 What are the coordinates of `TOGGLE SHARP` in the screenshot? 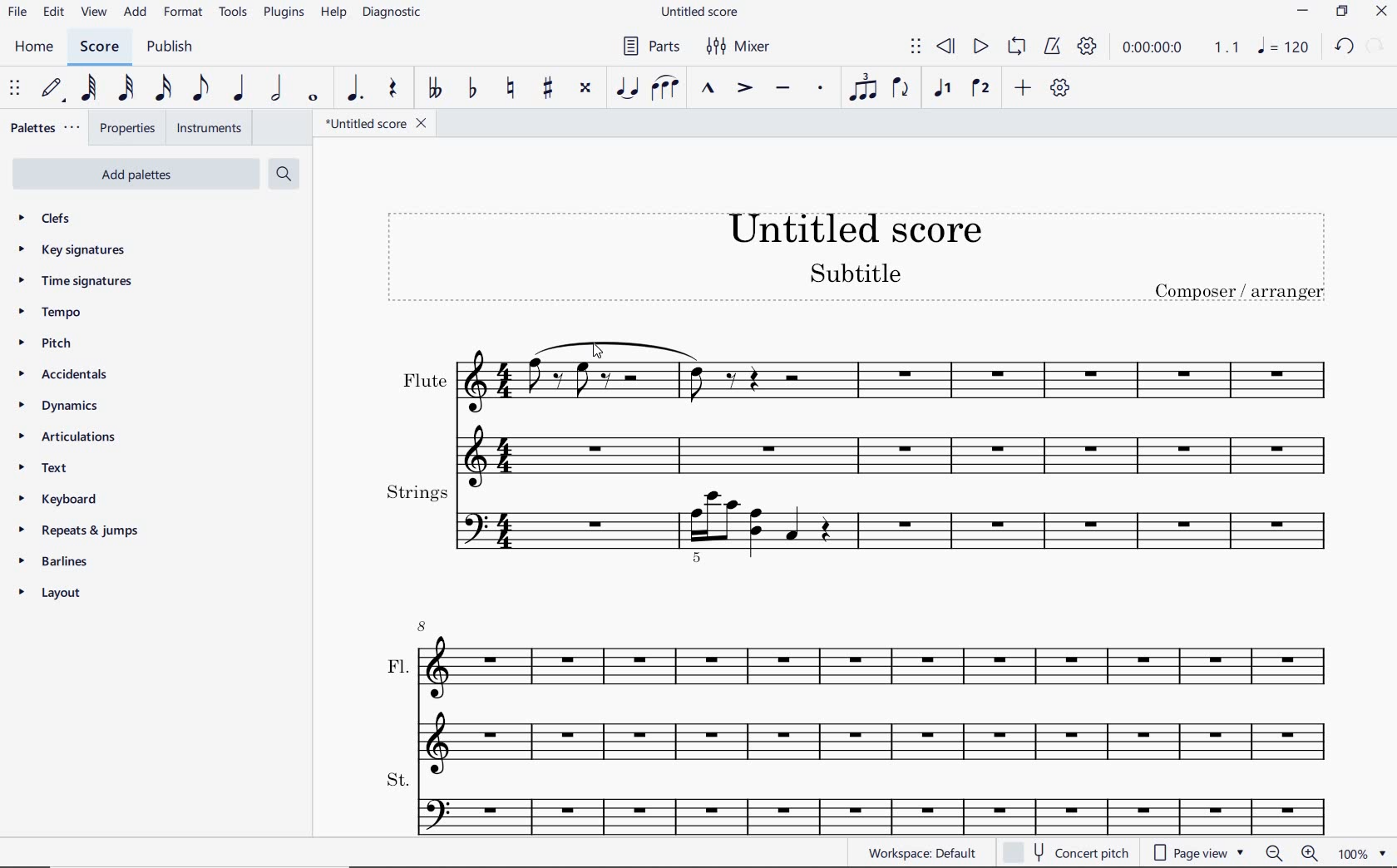 It's located at (545, 89).